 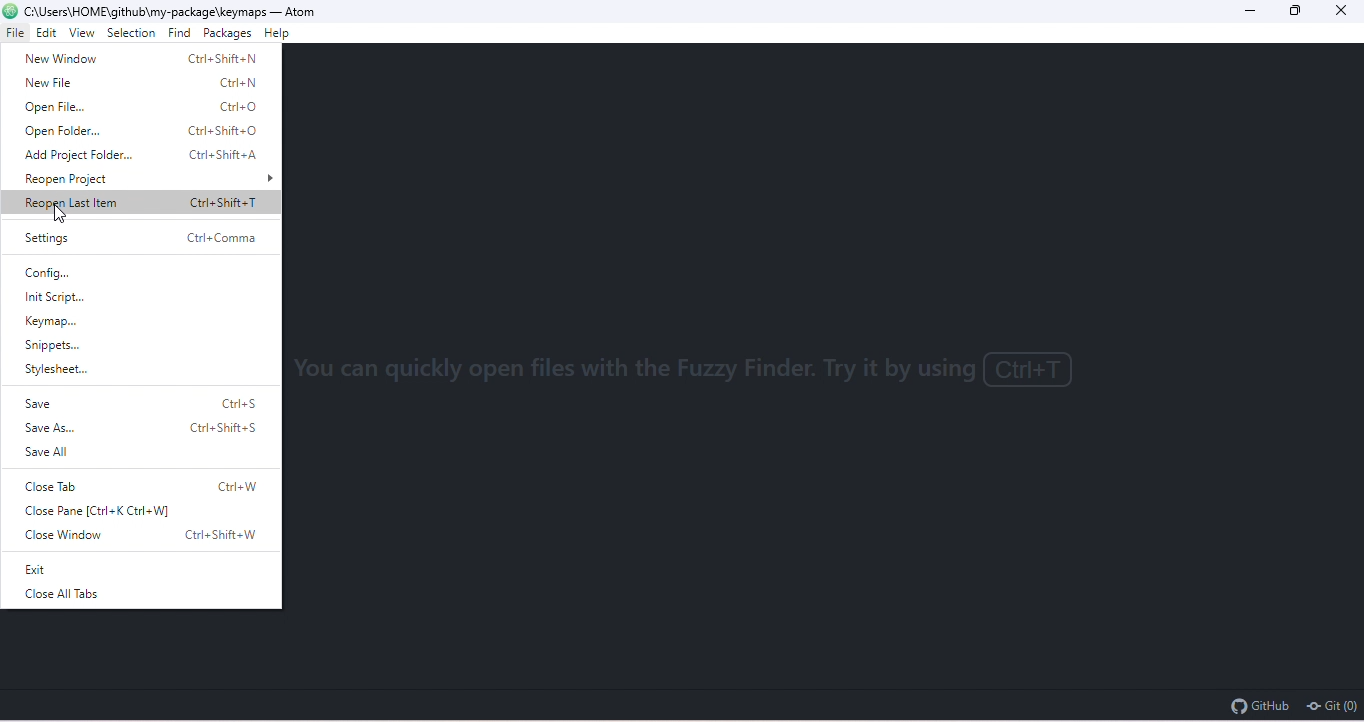 What do you see at coordinates (149, 158) in the screenshot?
I see `add project folder Ctrl+Shift+A` at bounding box center [149, 158].